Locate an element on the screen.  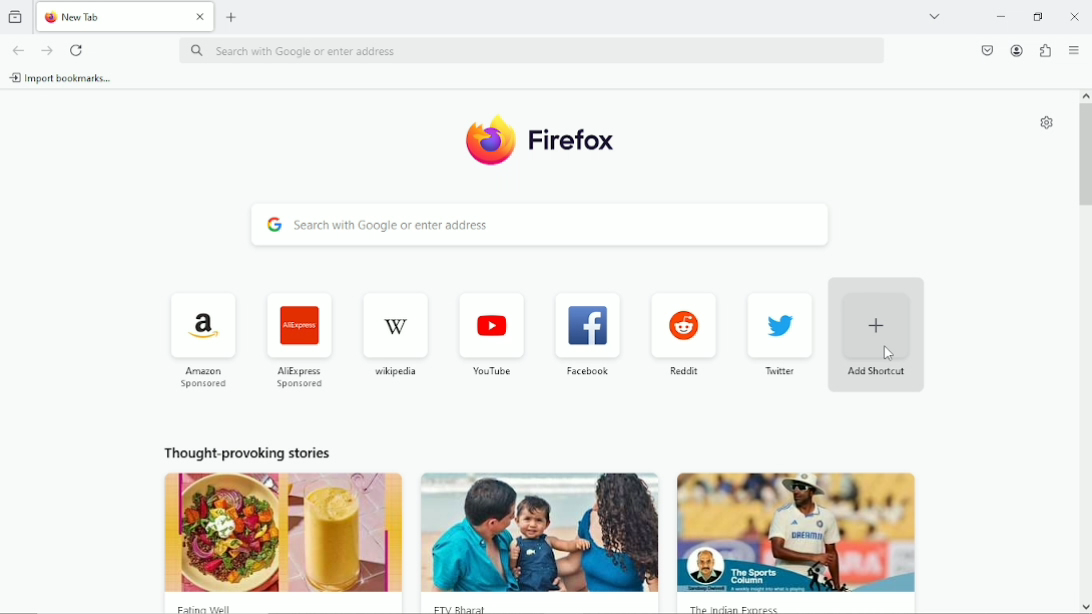
New Tab is located at coordinates (110, 17).